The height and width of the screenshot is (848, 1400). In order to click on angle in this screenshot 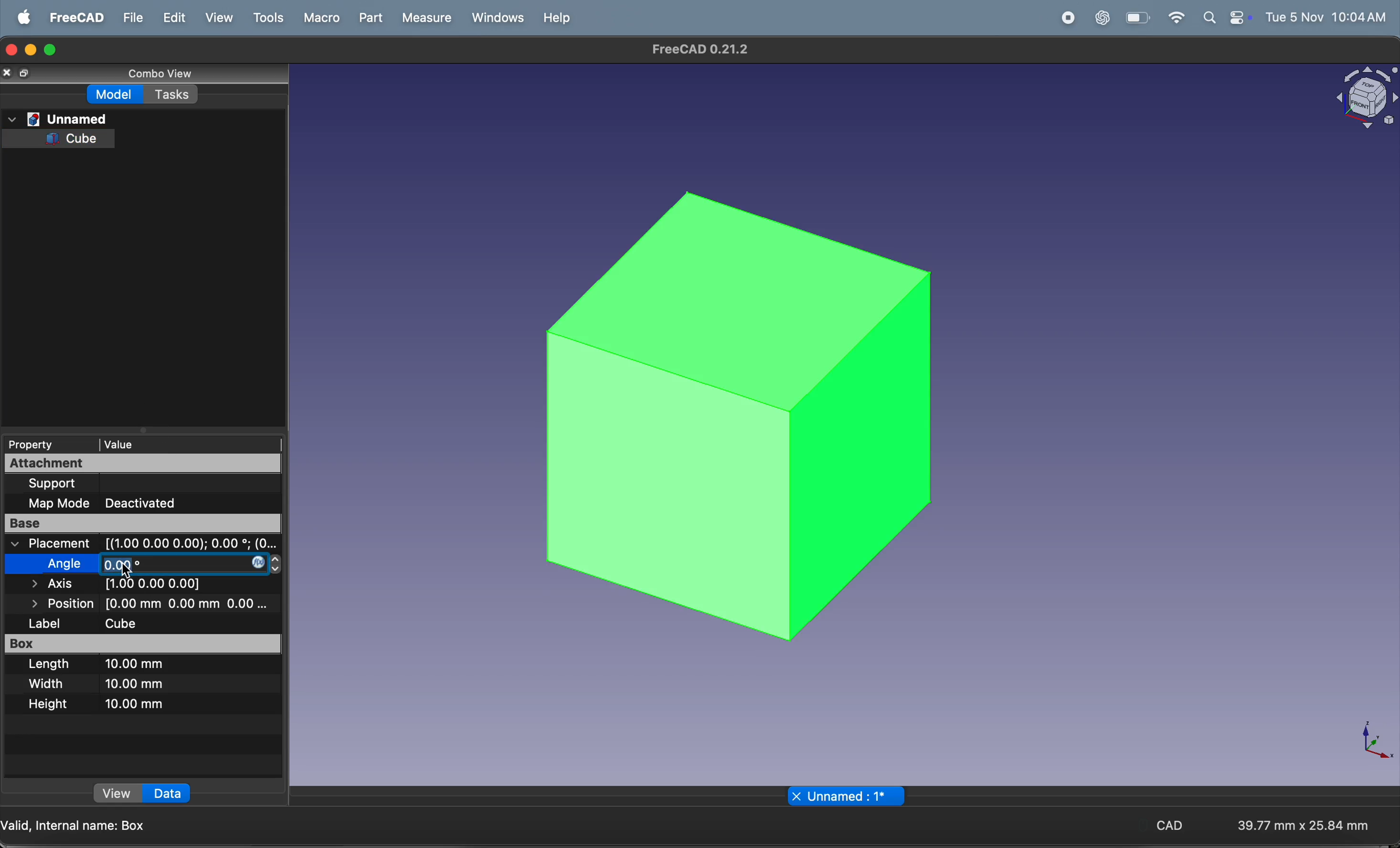, I will do `click(47, 564)`.